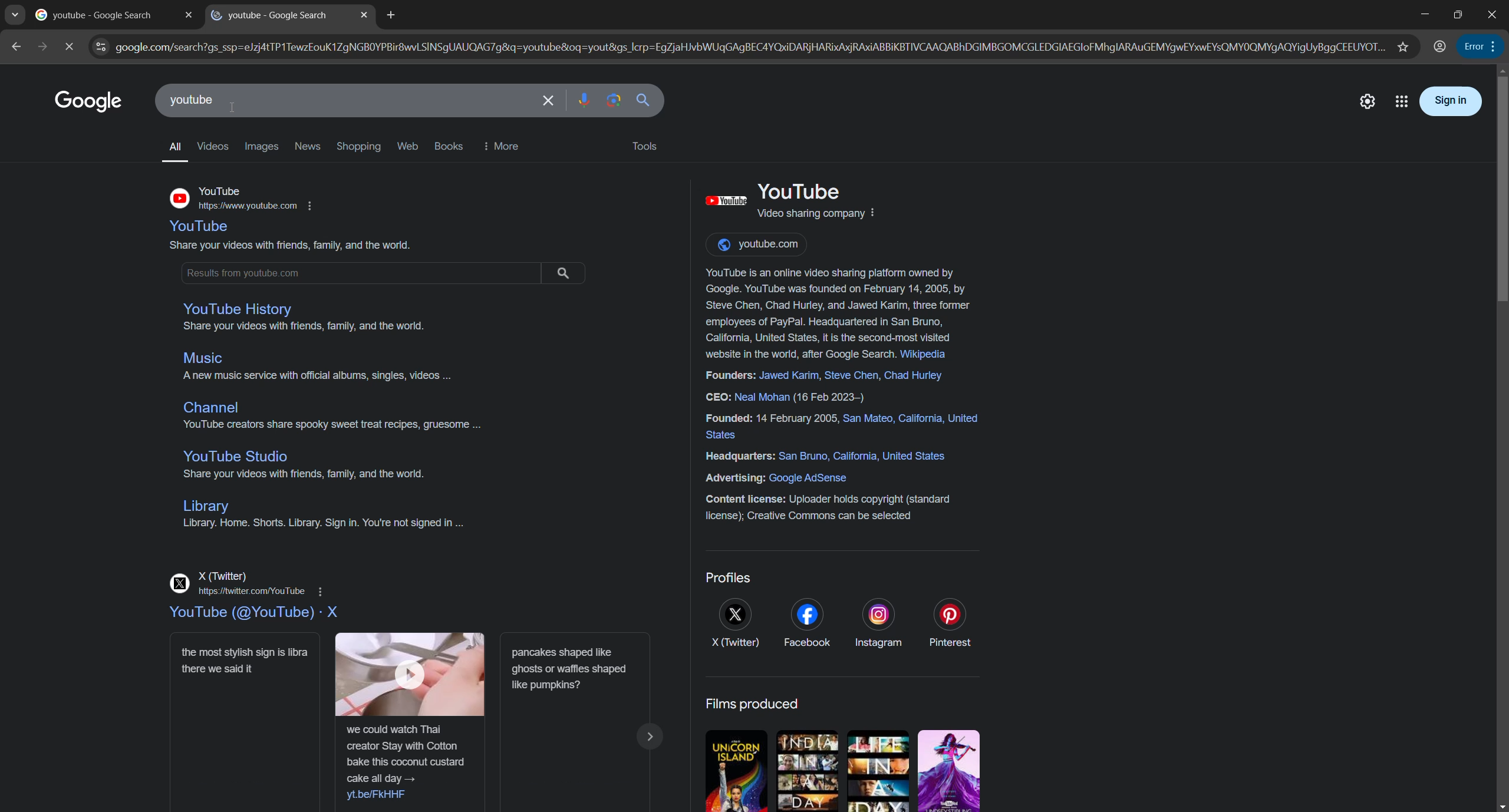  Describe the element at coordinates (1493, 14) in the screenshot. I see `close` at that location.